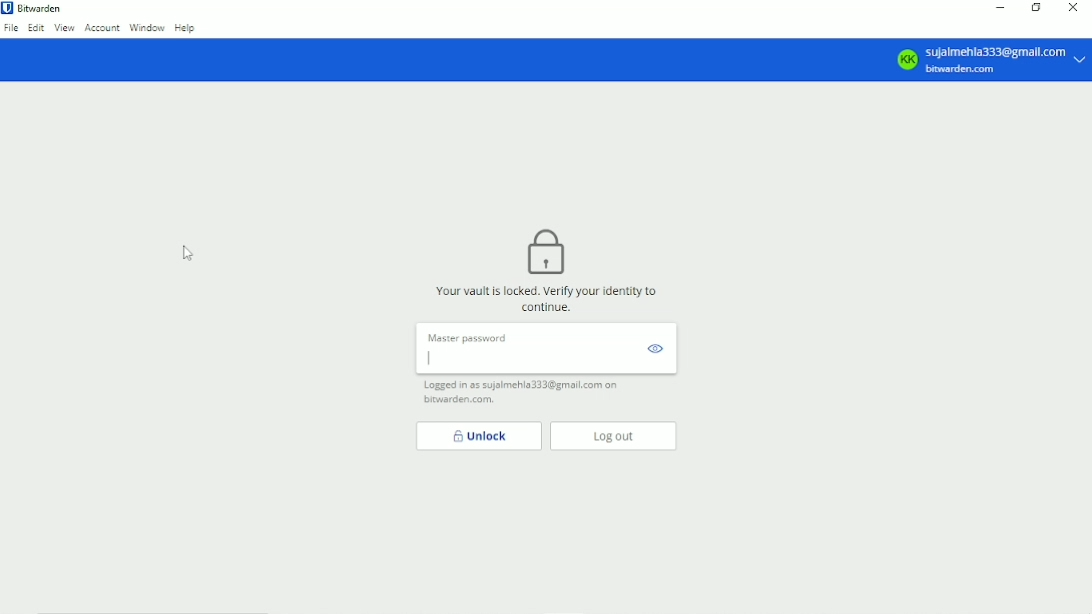 The height and width of the screenshot is (614, 1092). What do you see at coordinates (1036, 8) in the screenshot?
I see `Restore down` at bounding box center [1036, 8].